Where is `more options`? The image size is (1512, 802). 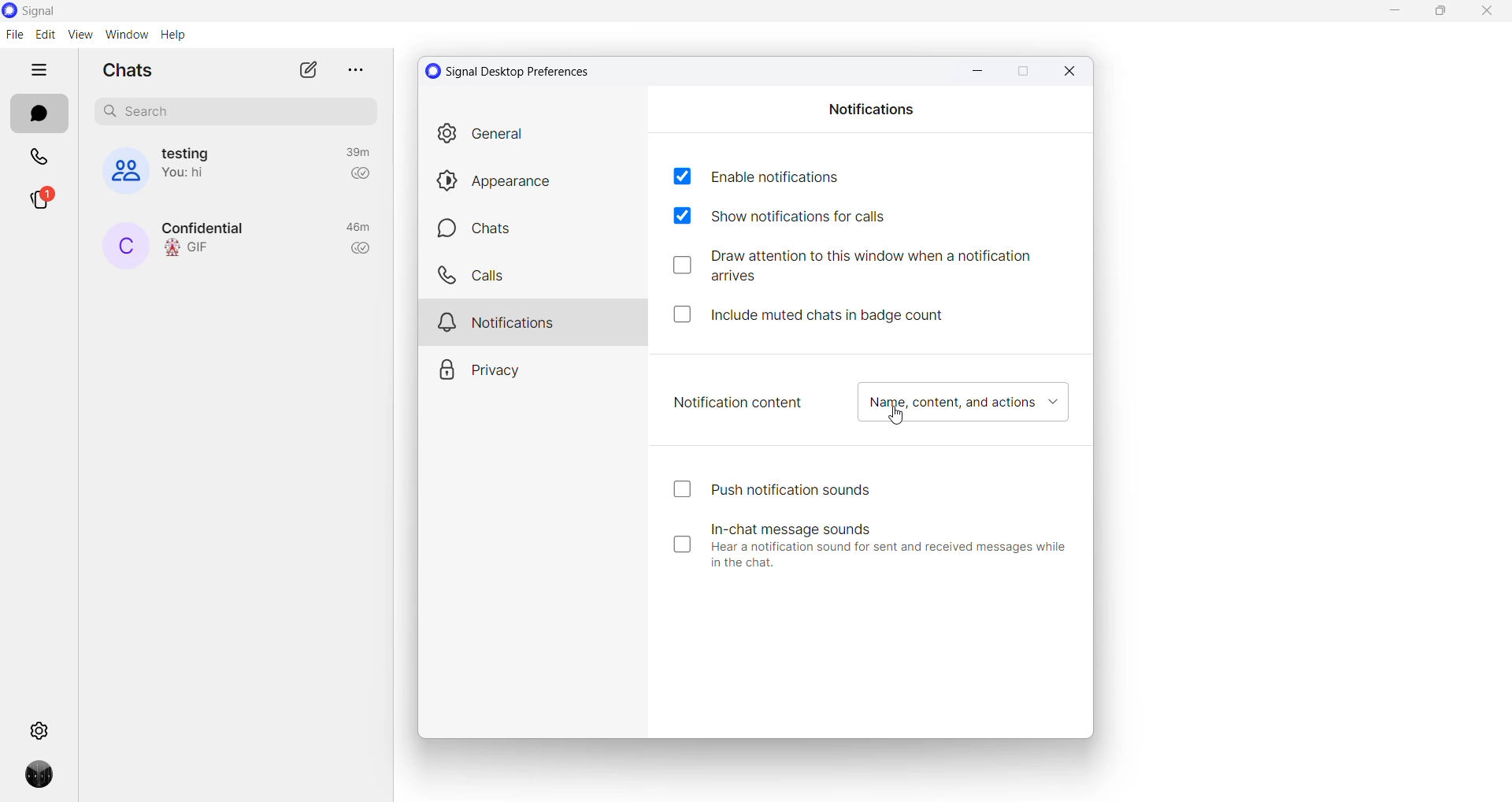
more options is located at coordinates (352, 69).